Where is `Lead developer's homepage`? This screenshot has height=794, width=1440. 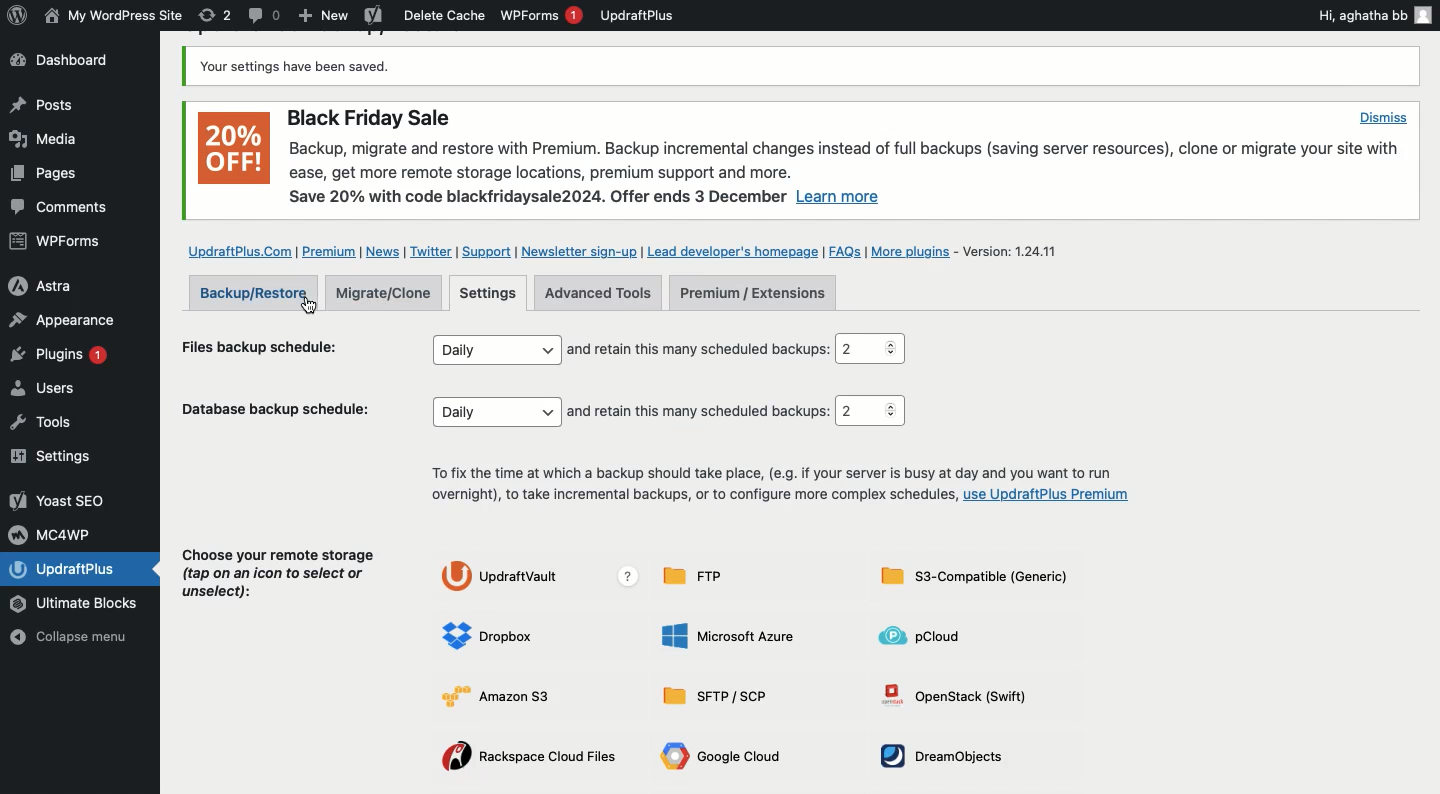 Lead developer's homepage is located at coordinates (733, 250).